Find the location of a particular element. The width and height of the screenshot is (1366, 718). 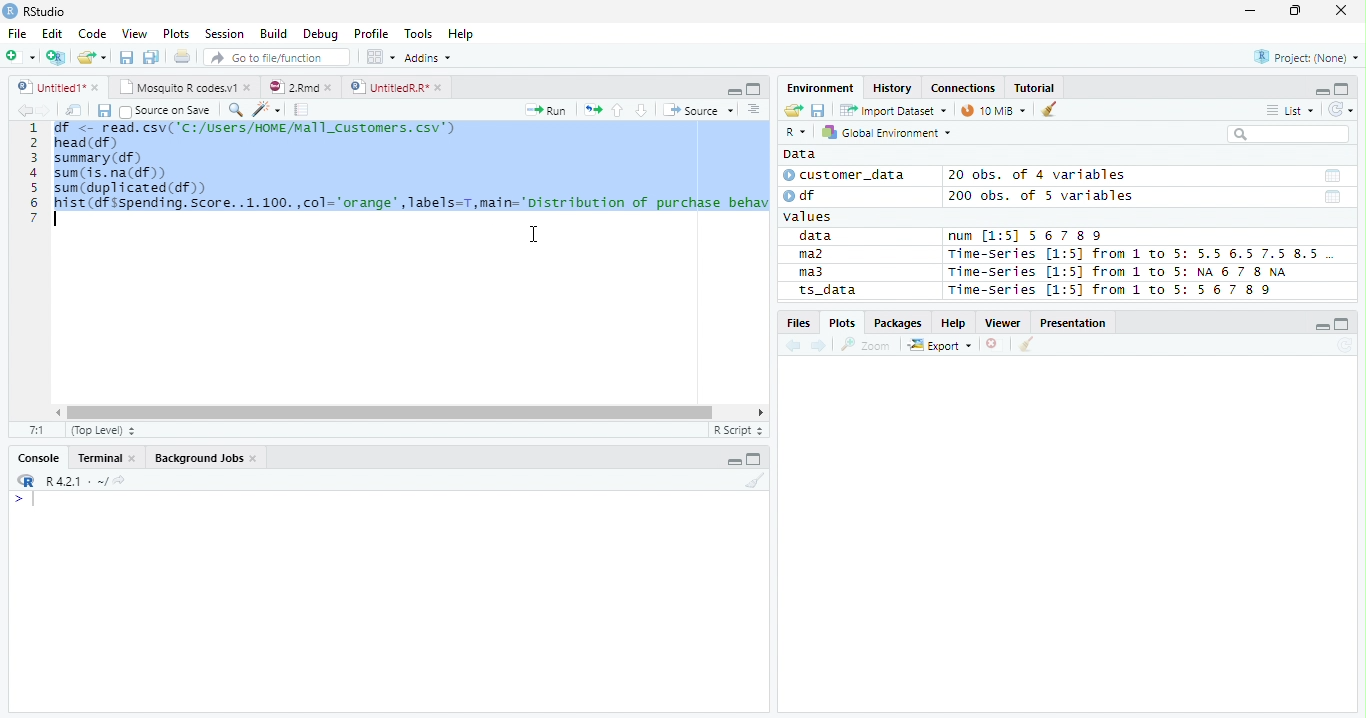

df is located at coordinates (806, 195).